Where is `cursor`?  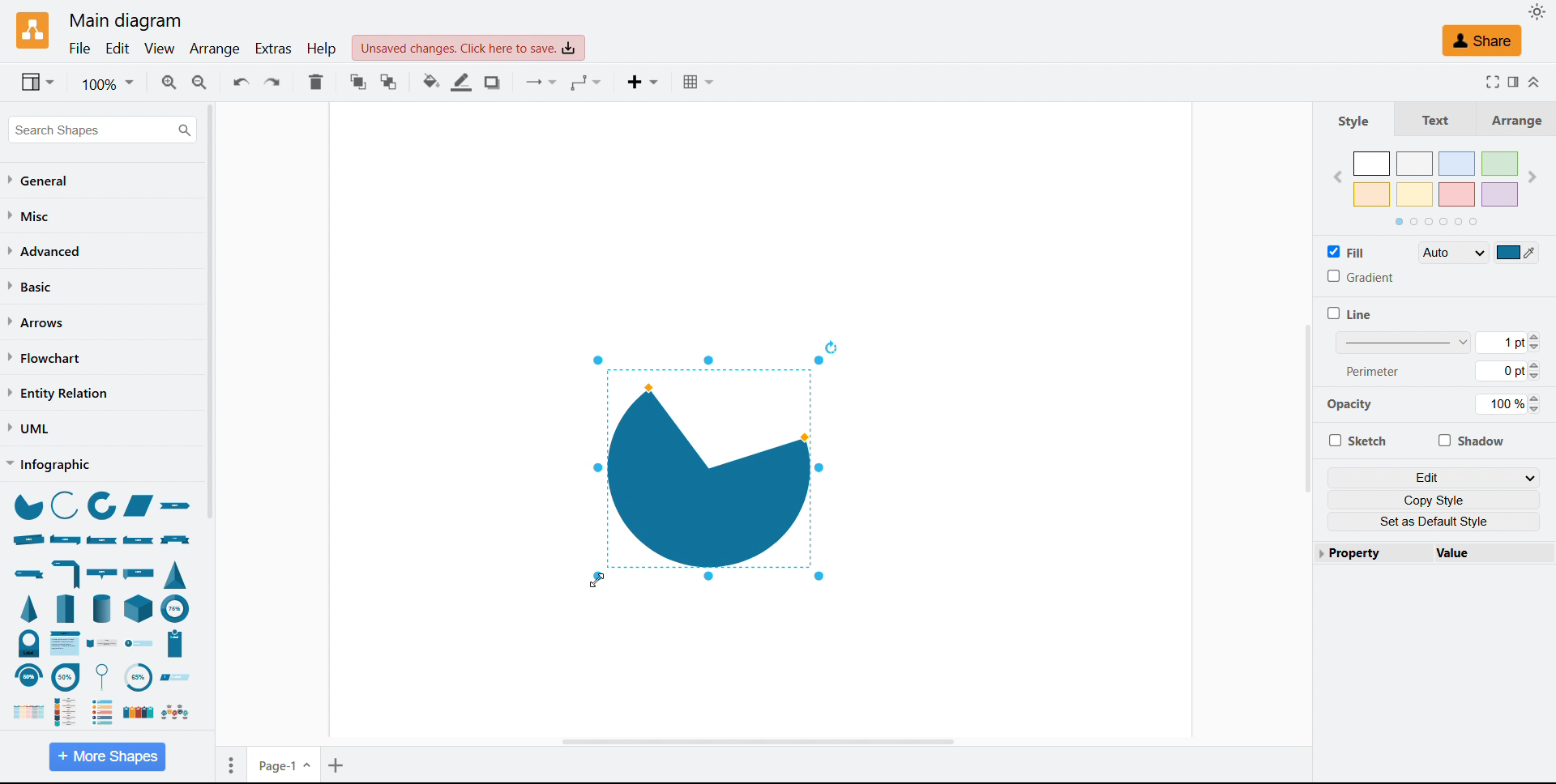
cursor is located at coordinates (597, 583).